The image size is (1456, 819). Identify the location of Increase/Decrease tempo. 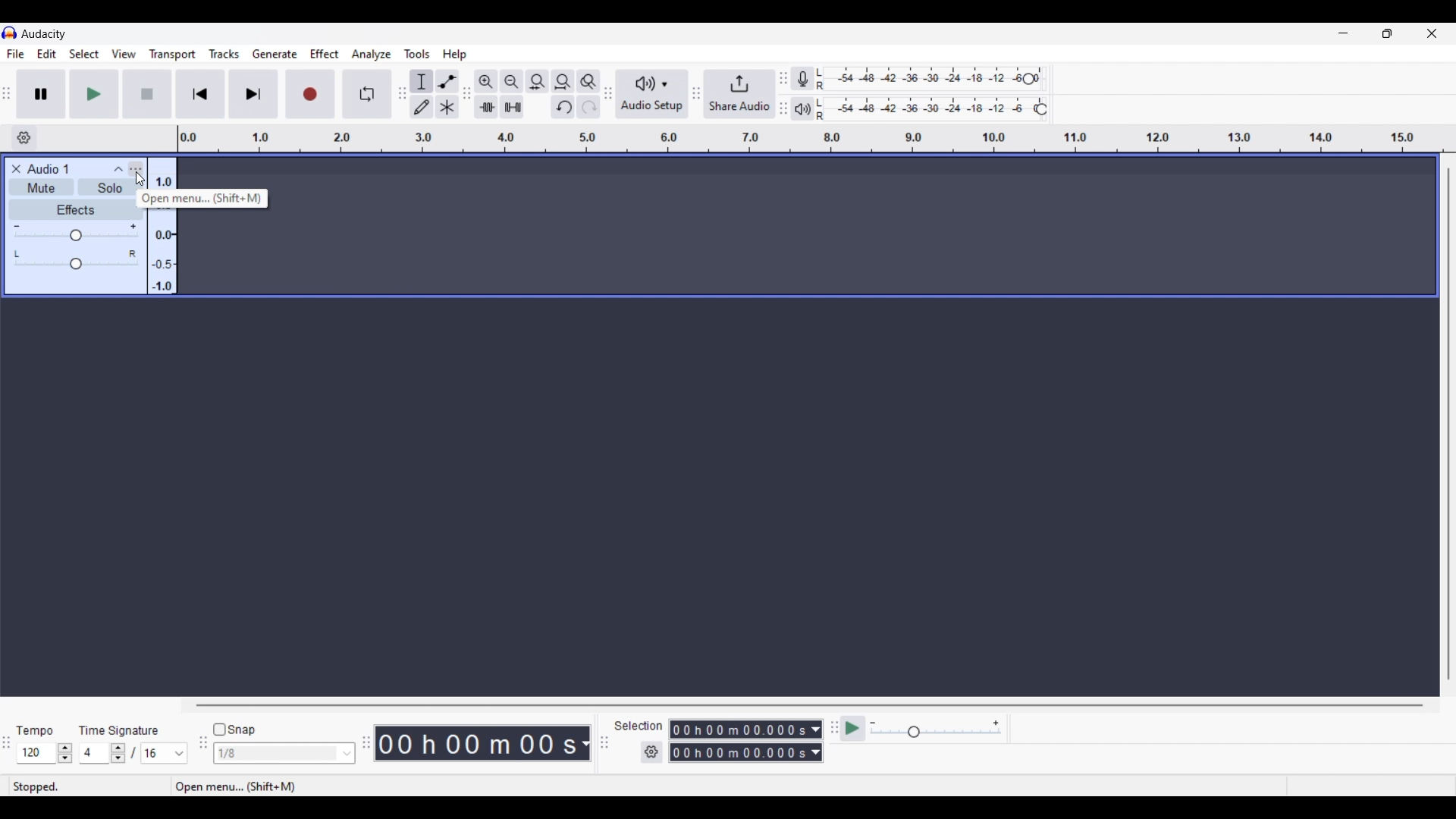
(65, 753).